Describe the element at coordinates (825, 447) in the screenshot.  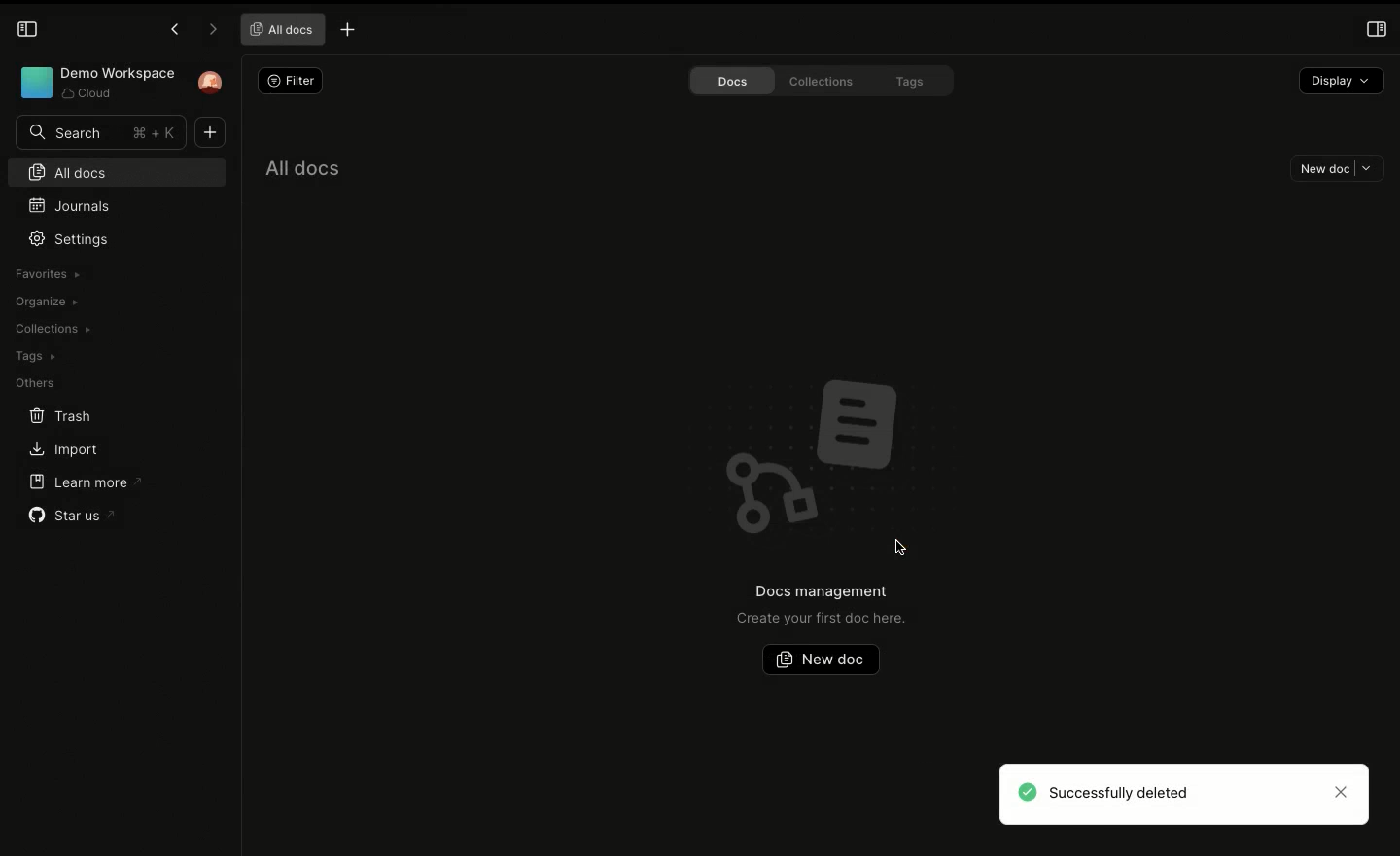
I see `Emblem` at that location.